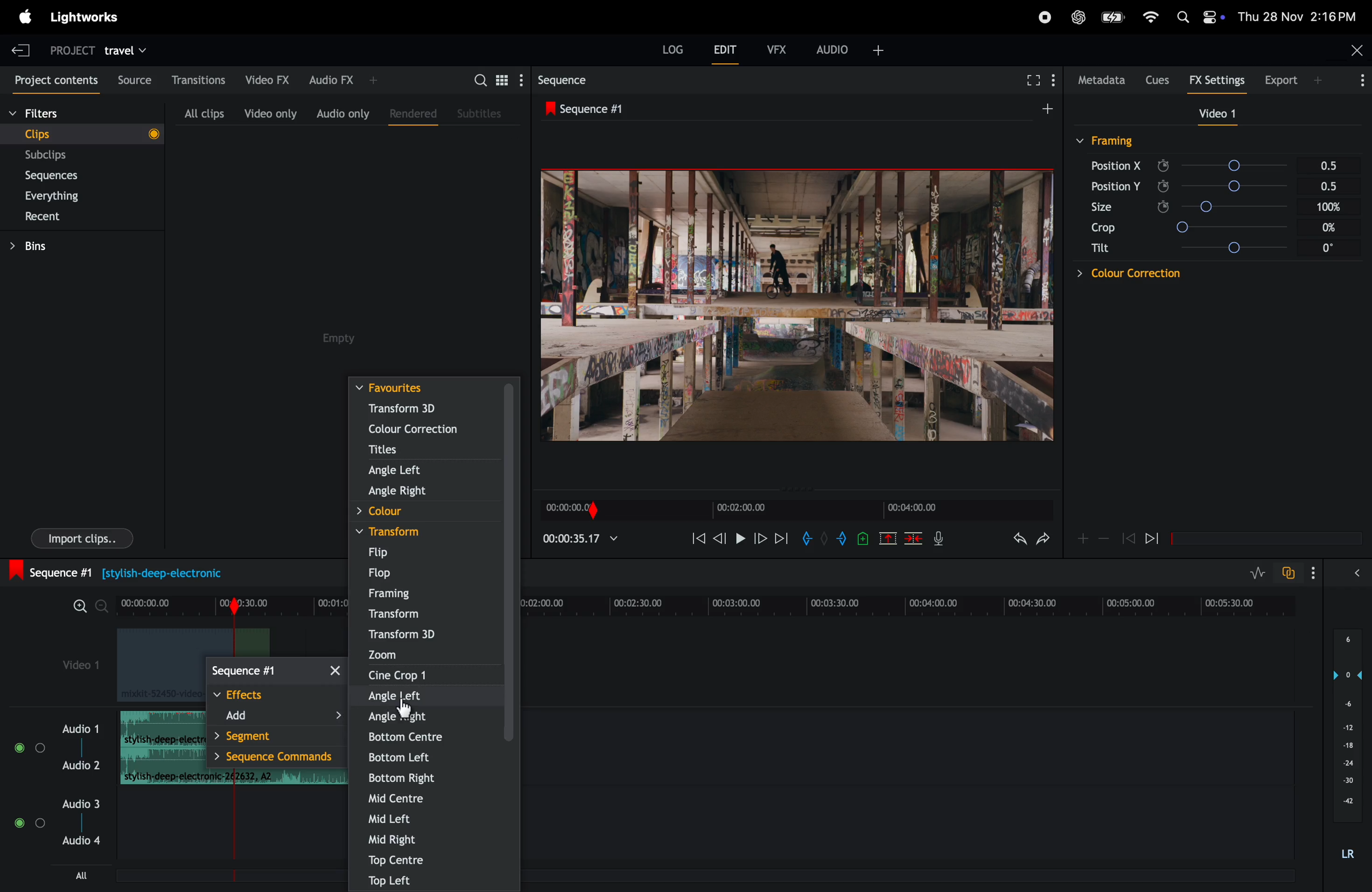 The width and height of the screenshot is (1372, 892). Describe the element at coordinates (1039, 17) in the screenshot. I see `record` at that location.